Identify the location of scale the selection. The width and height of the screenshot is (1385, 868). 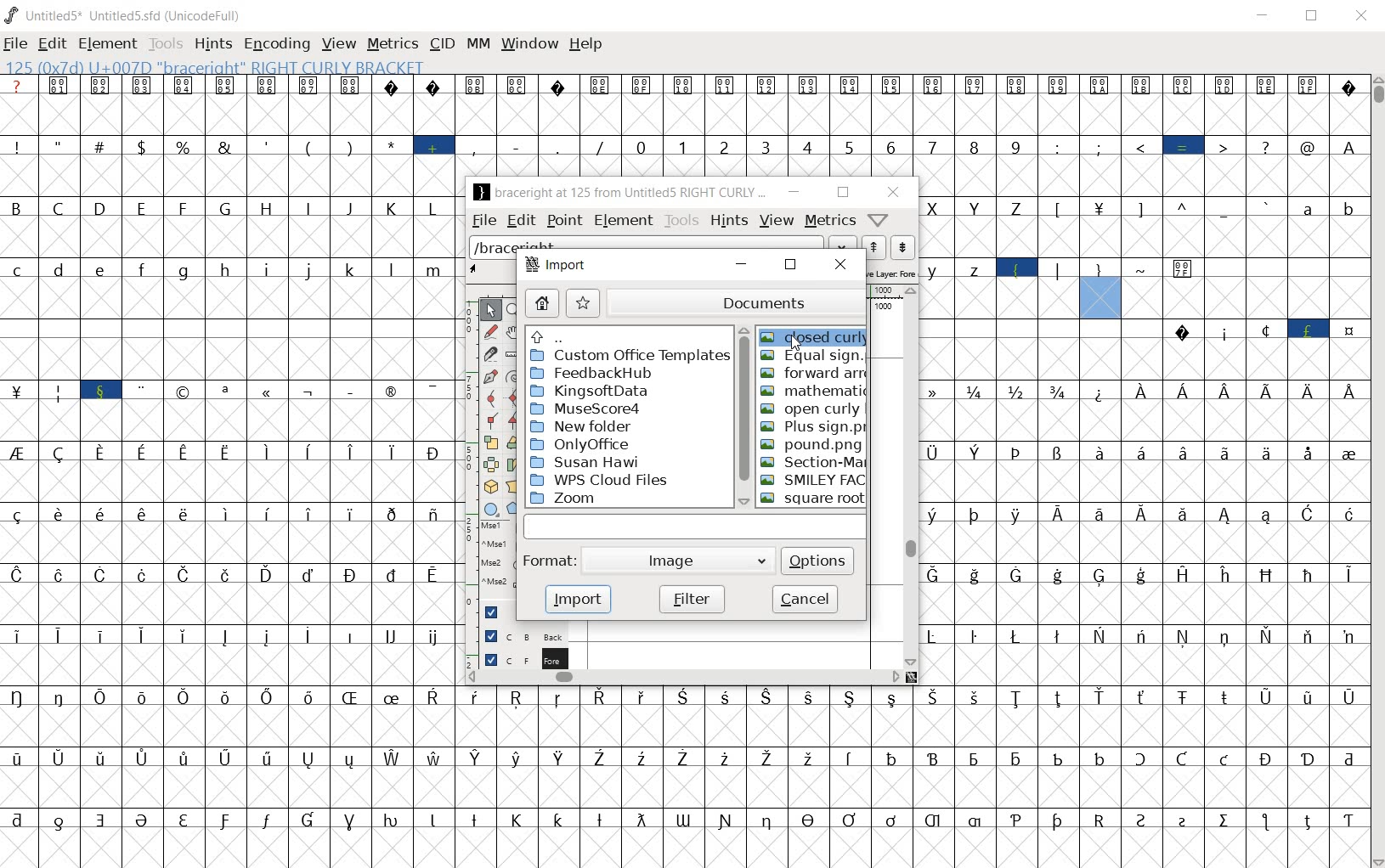
(489, 442).